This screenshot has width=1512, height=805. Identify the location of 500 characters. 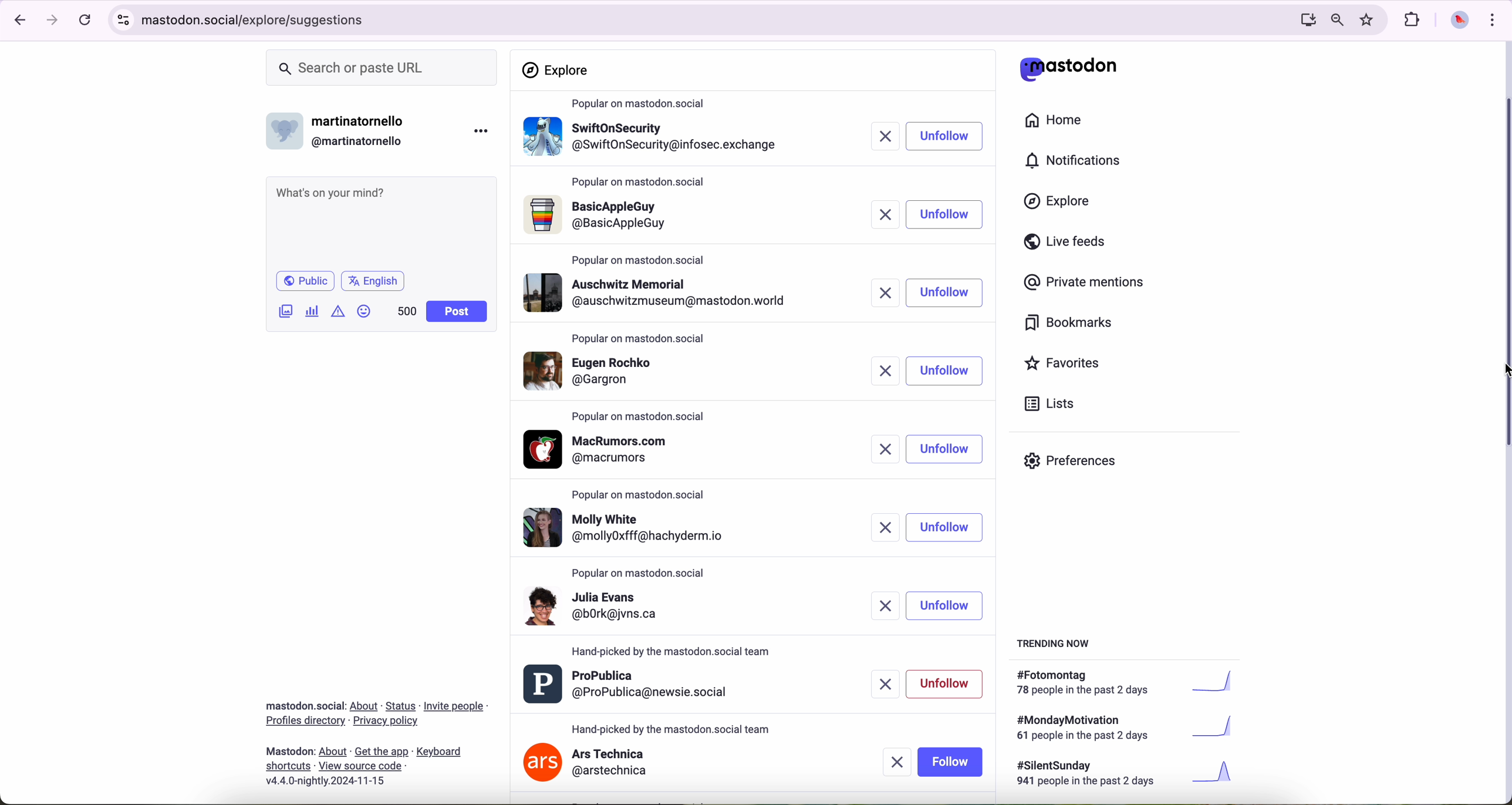
(406, 311).